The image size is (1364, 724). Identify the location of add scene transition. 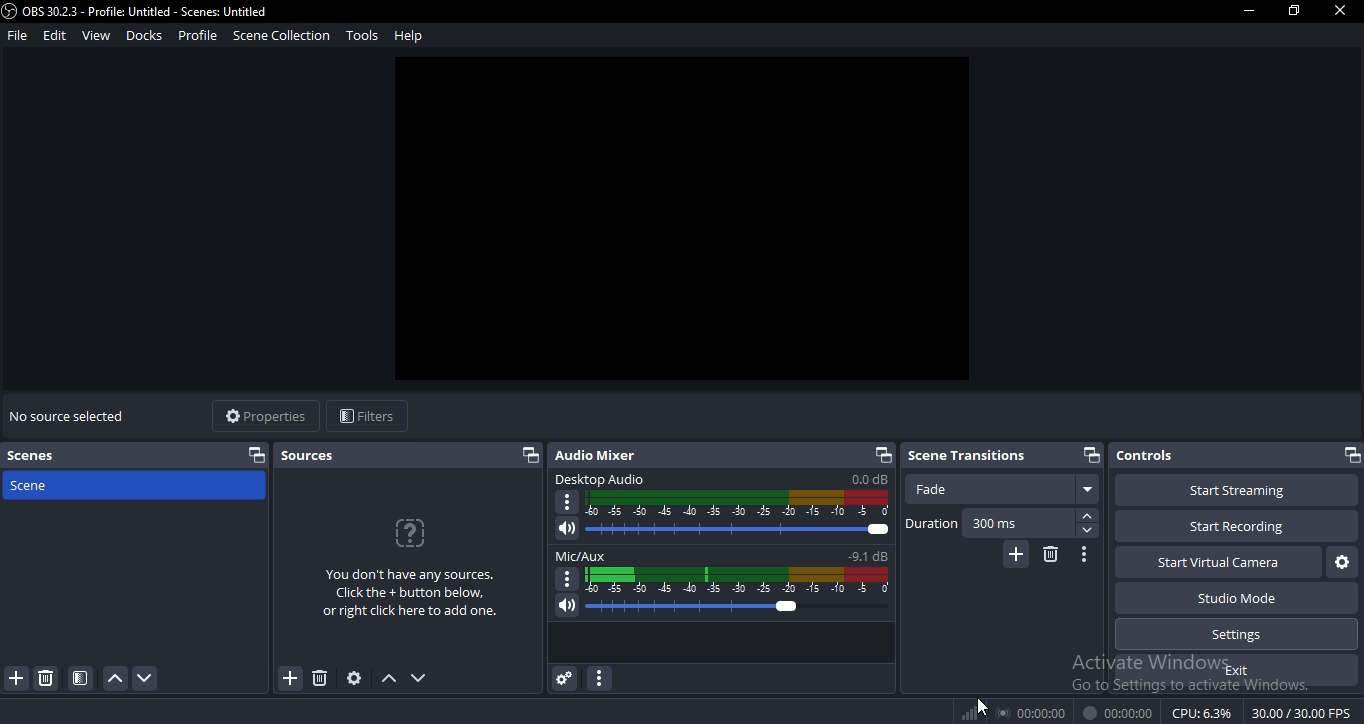
(1014, 555).